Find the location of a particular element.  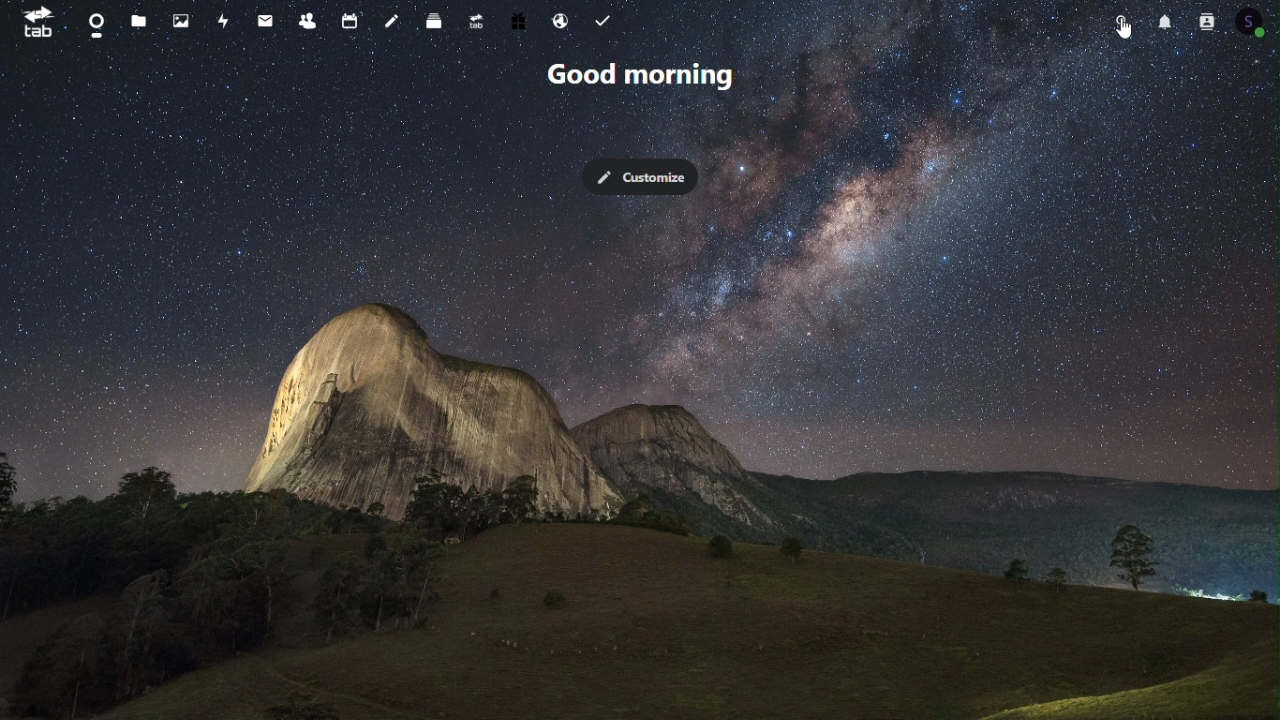

Notes is located at coordinates (392, 19).